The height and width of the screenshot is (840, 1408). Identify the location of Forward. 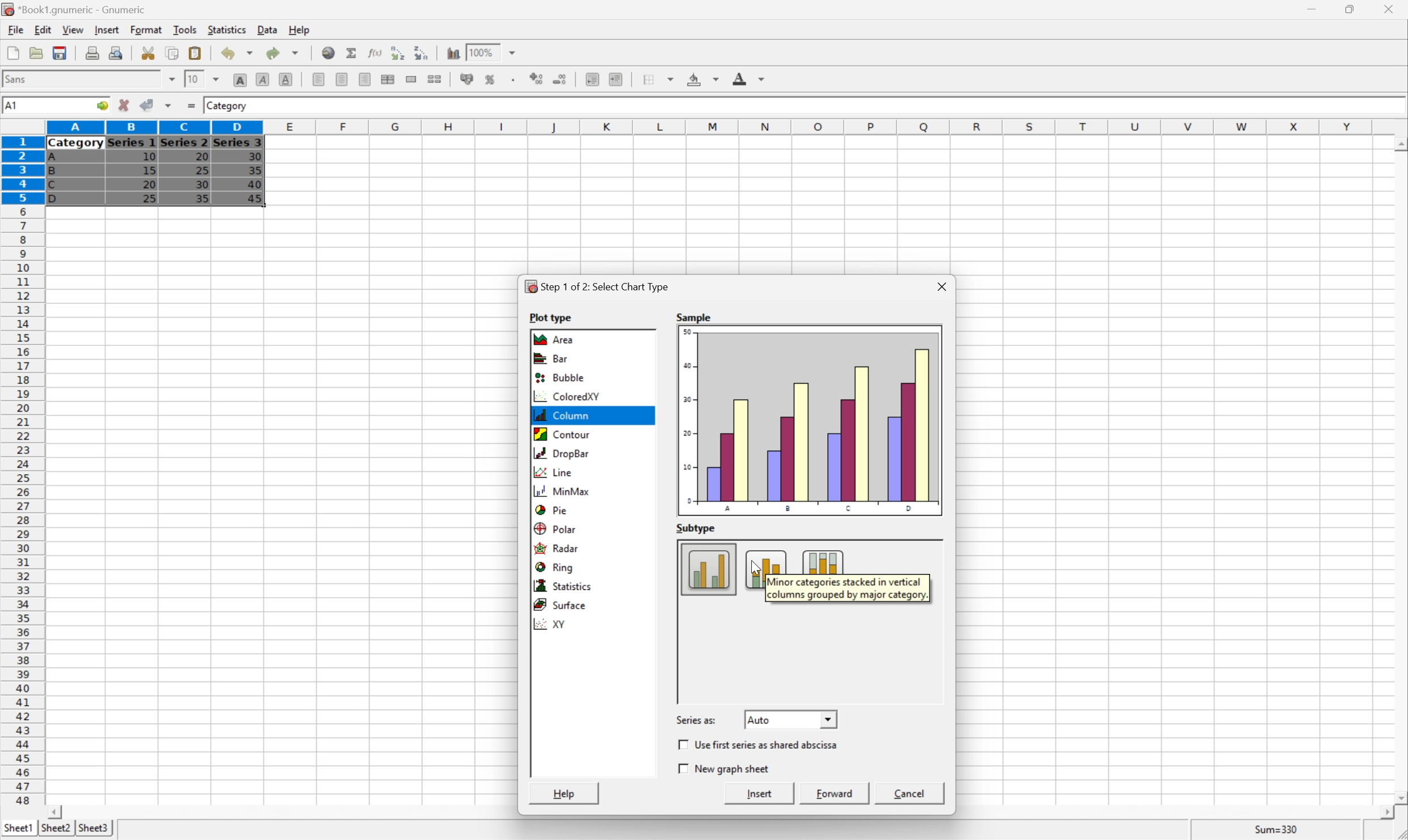
(837, 792).